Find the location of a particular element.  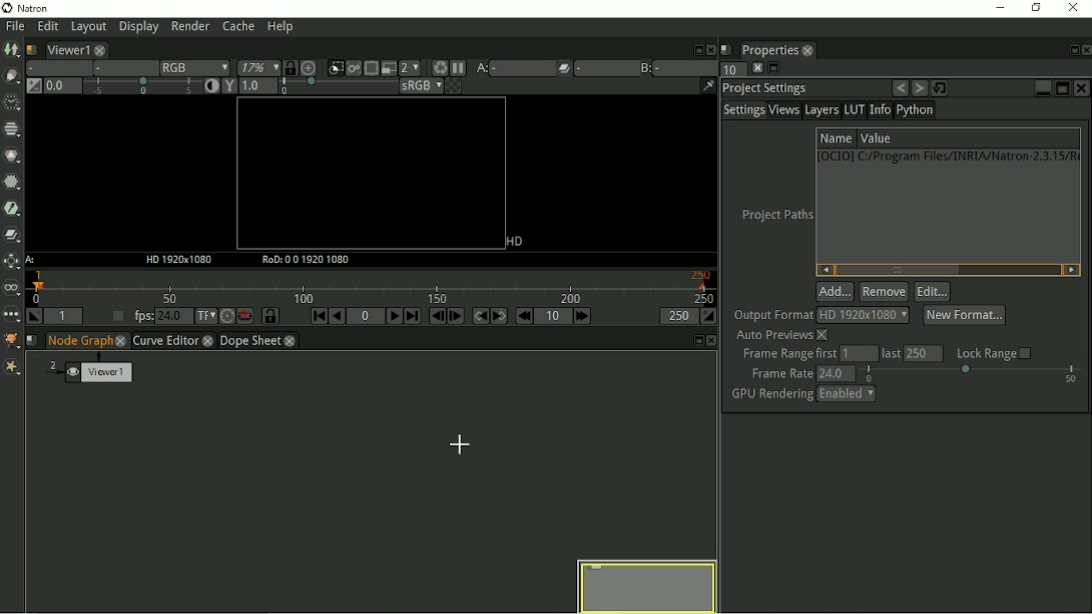

First frame is located at coordinates (311, 317).